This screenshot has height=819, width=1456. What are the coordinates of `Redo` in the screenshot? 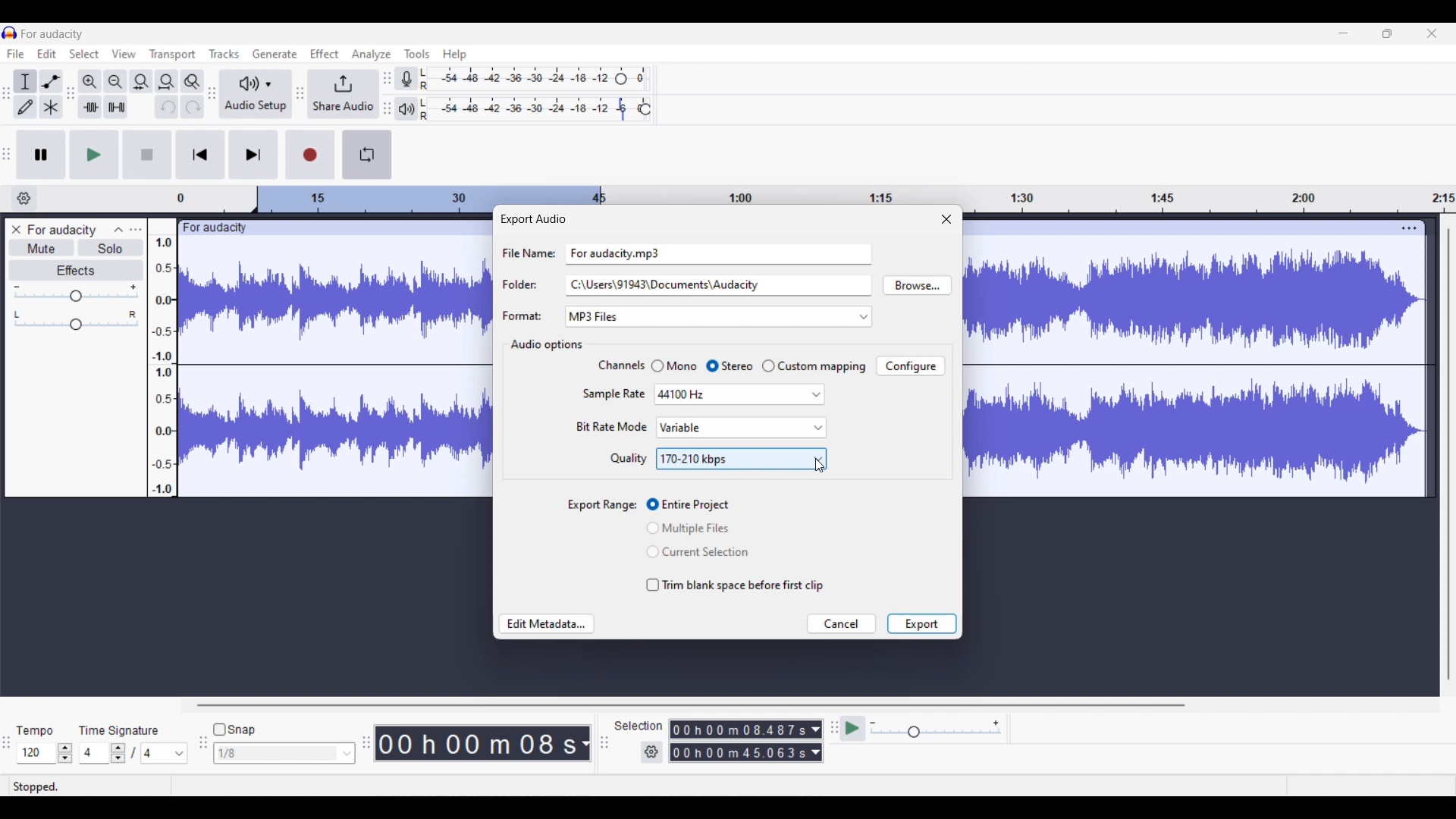 It's located at (193, 106).